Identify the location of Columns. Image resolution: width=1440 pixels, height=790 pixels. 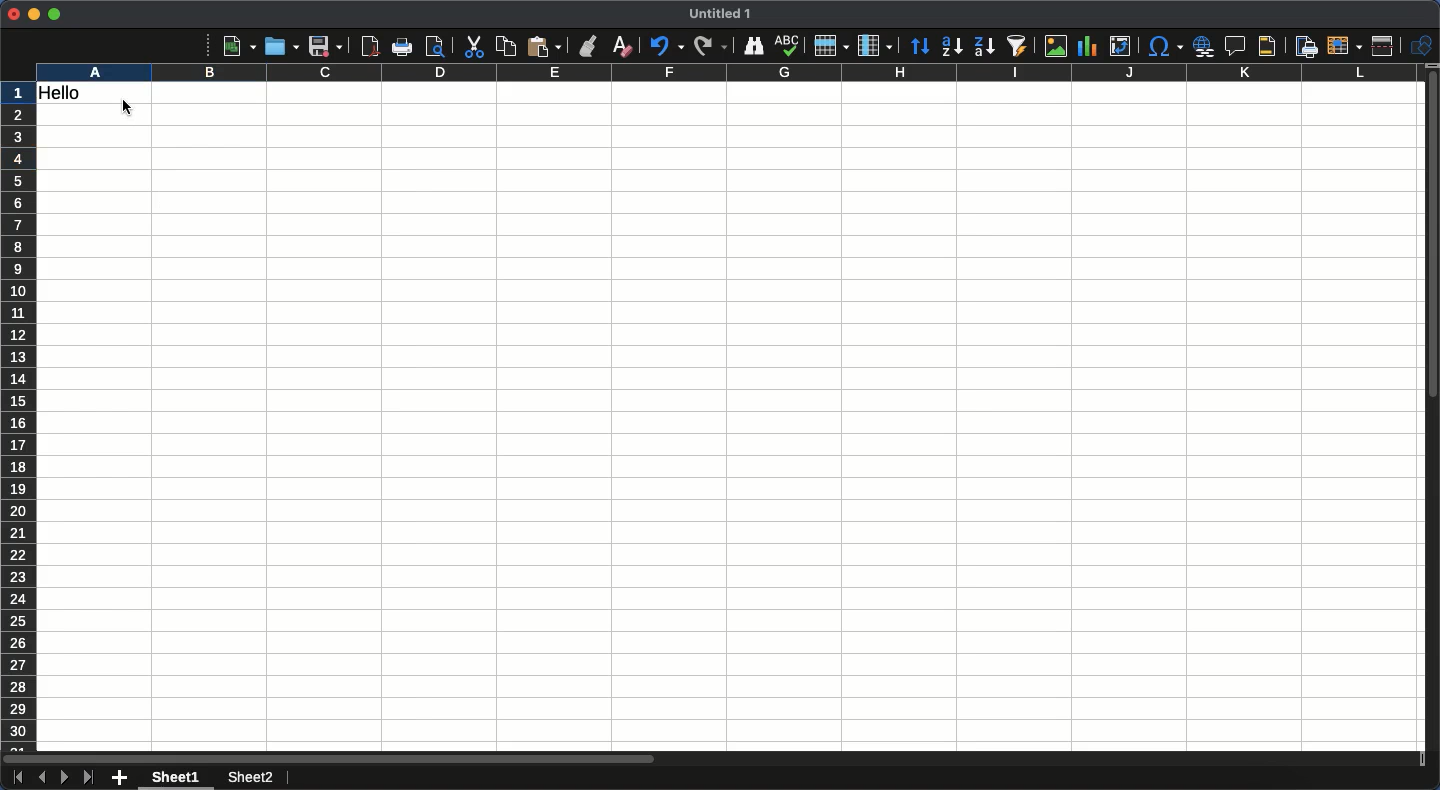
(724, 73).